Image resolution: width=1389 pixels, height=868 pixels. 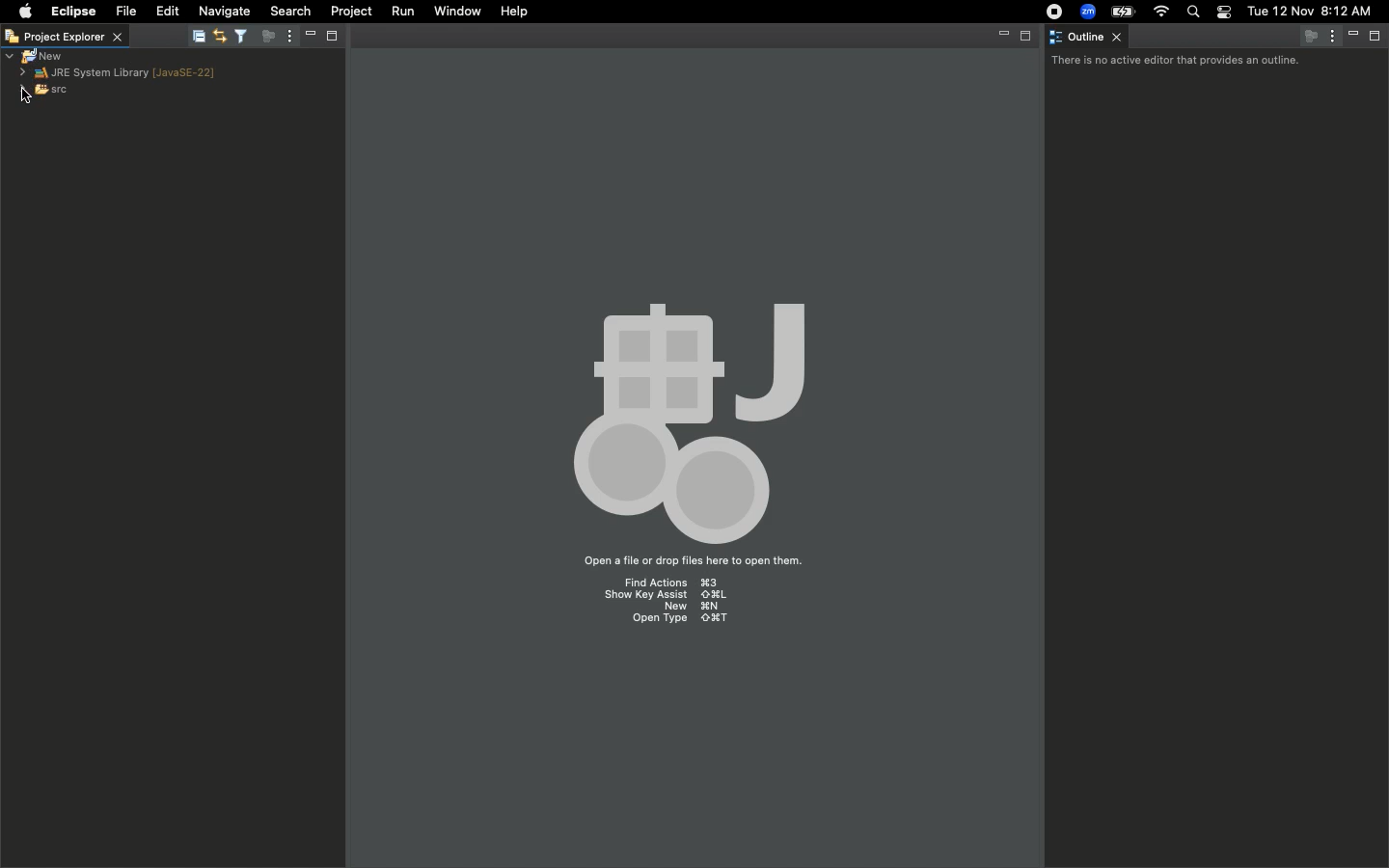 What do you see at coordinates (1335, 37) in the screenshot?
I see `Options` at bounding box center [1335, 37].